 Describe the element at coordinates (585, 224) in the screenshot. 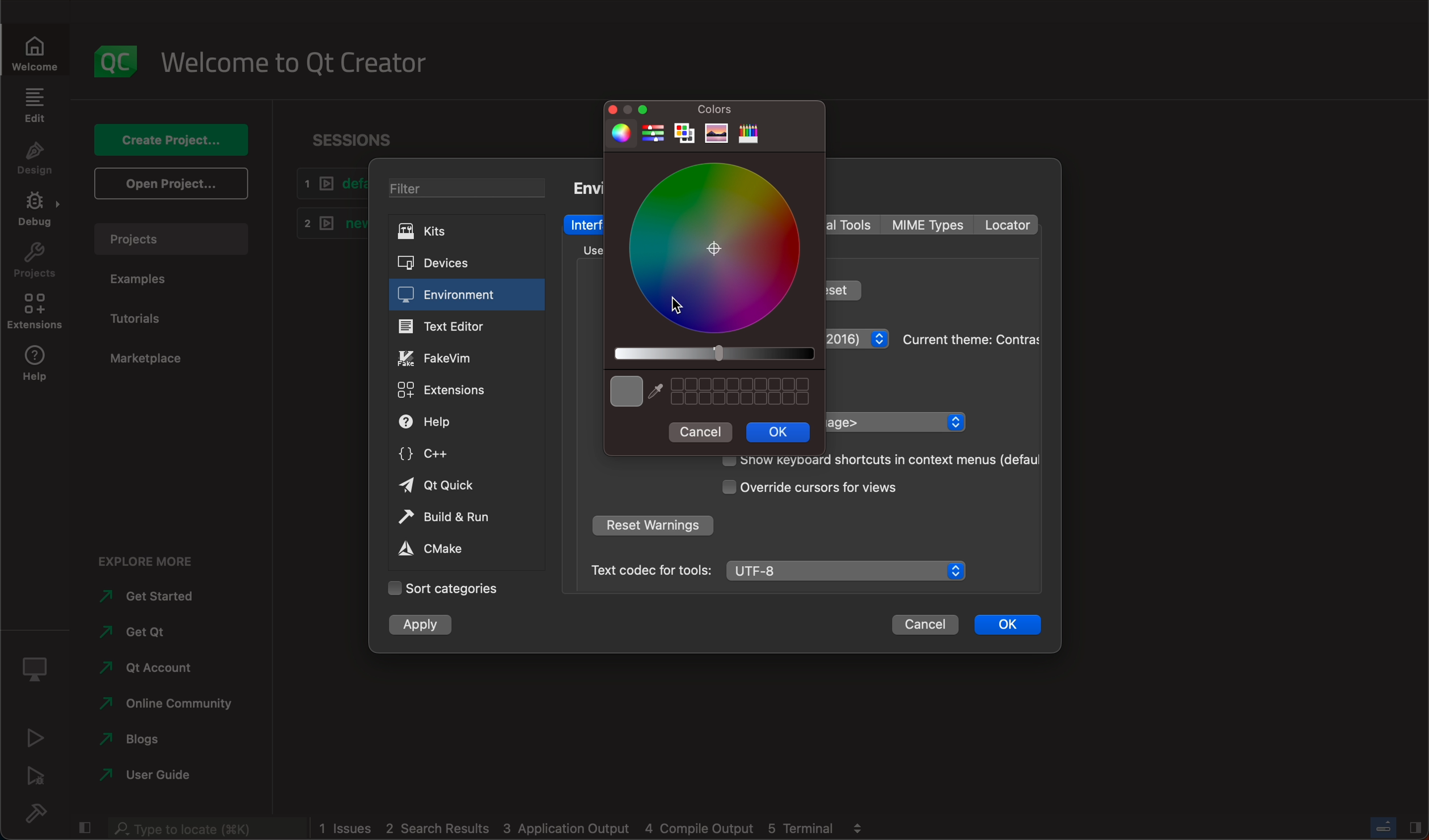

I see `interface` at that location.